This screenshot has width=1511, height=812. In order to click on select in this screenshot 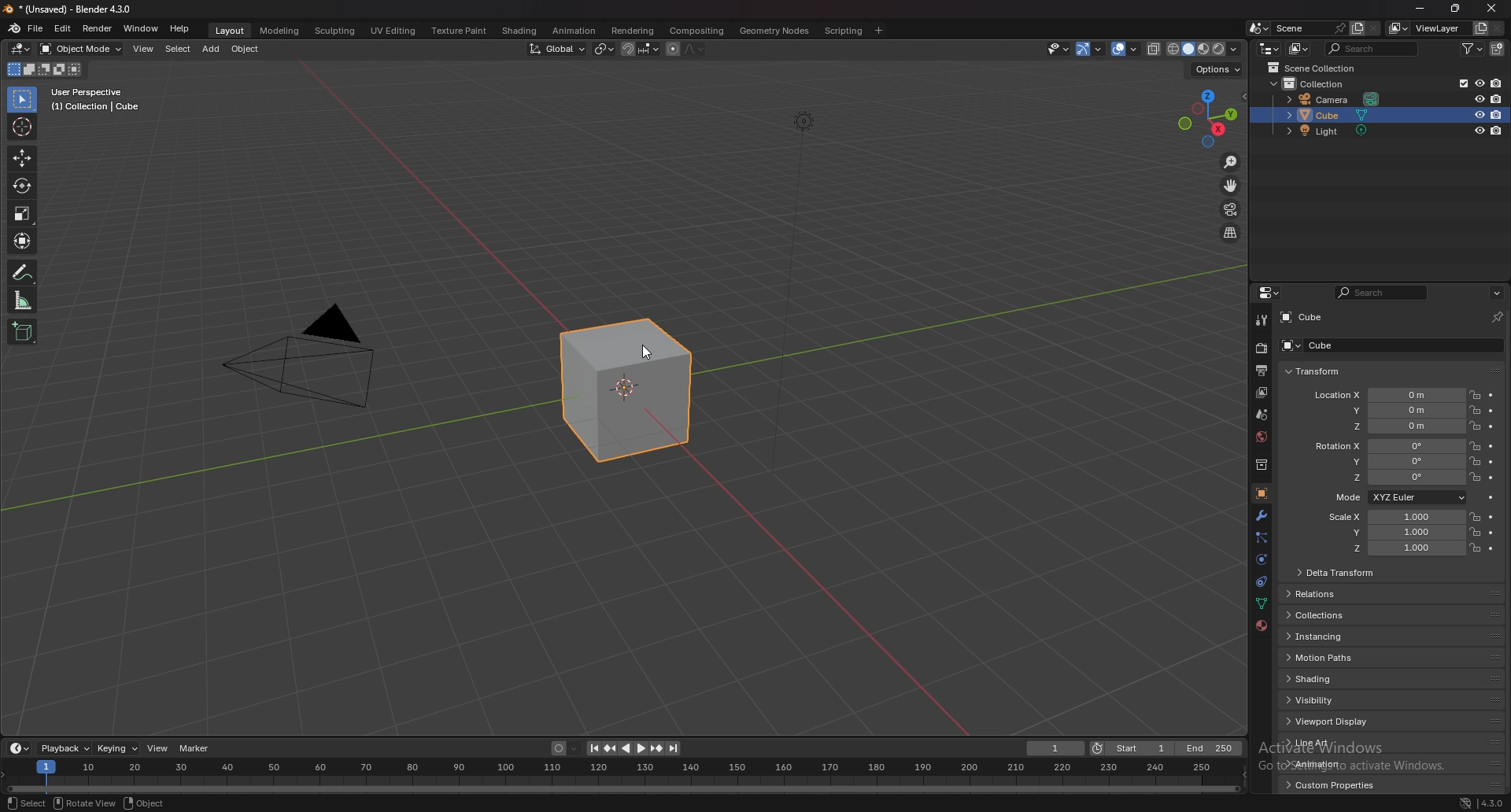, I will do `click(27, 803)`.